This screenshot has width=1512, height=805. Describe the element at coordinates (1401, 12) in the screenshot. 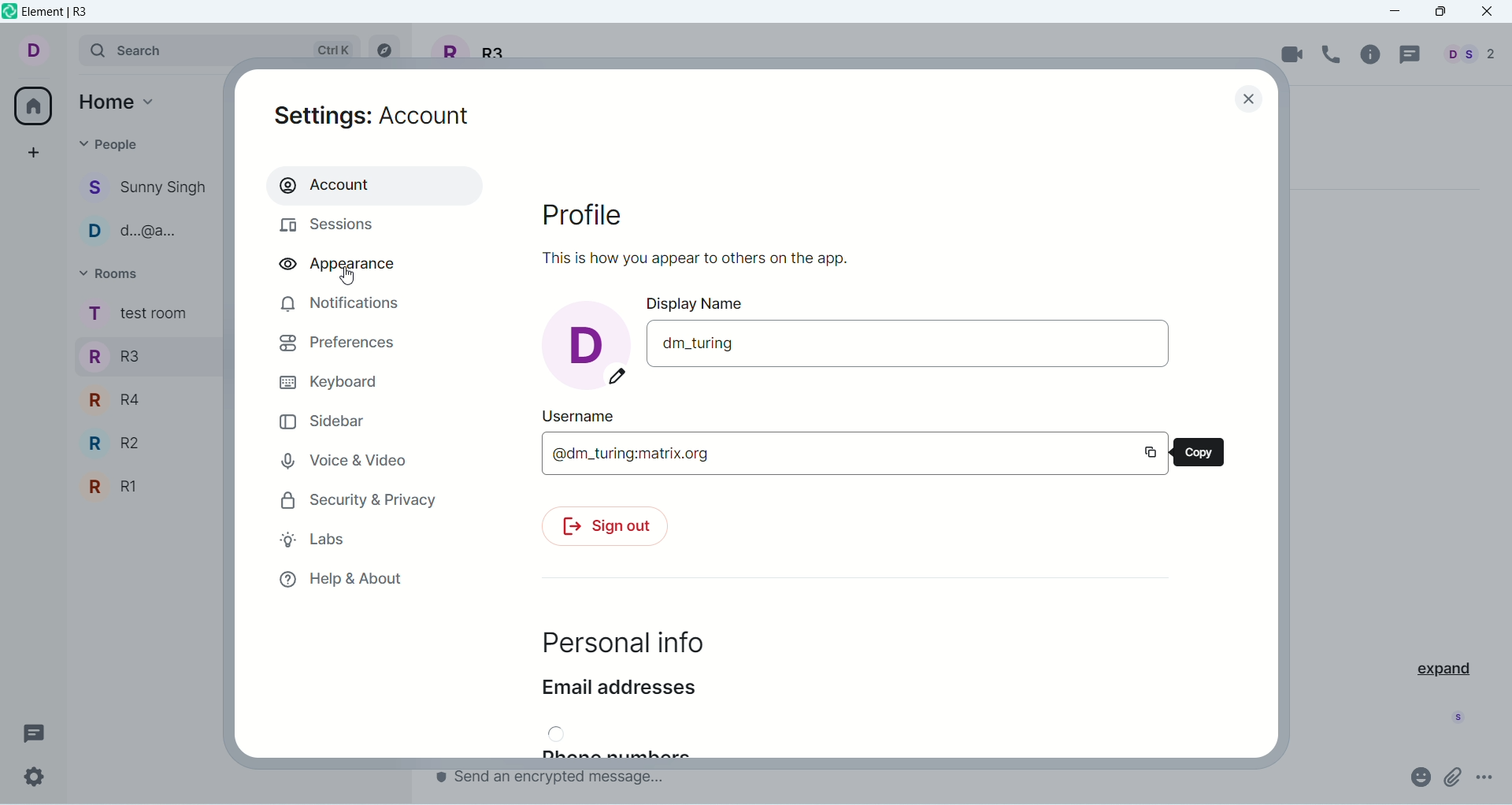

I see `minimize` at that location.